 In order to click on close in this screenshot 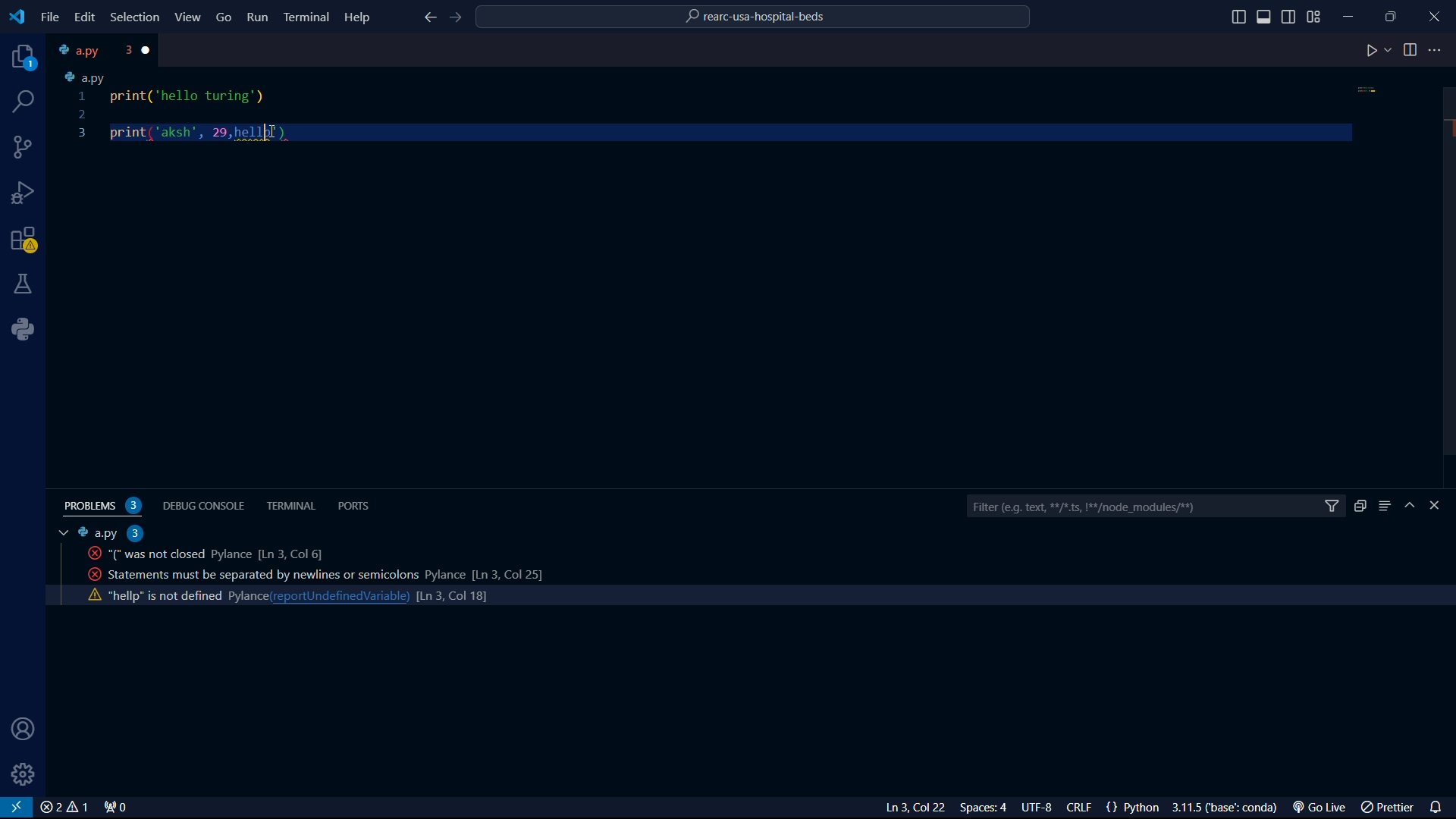, I will do `click(149, 50)`.